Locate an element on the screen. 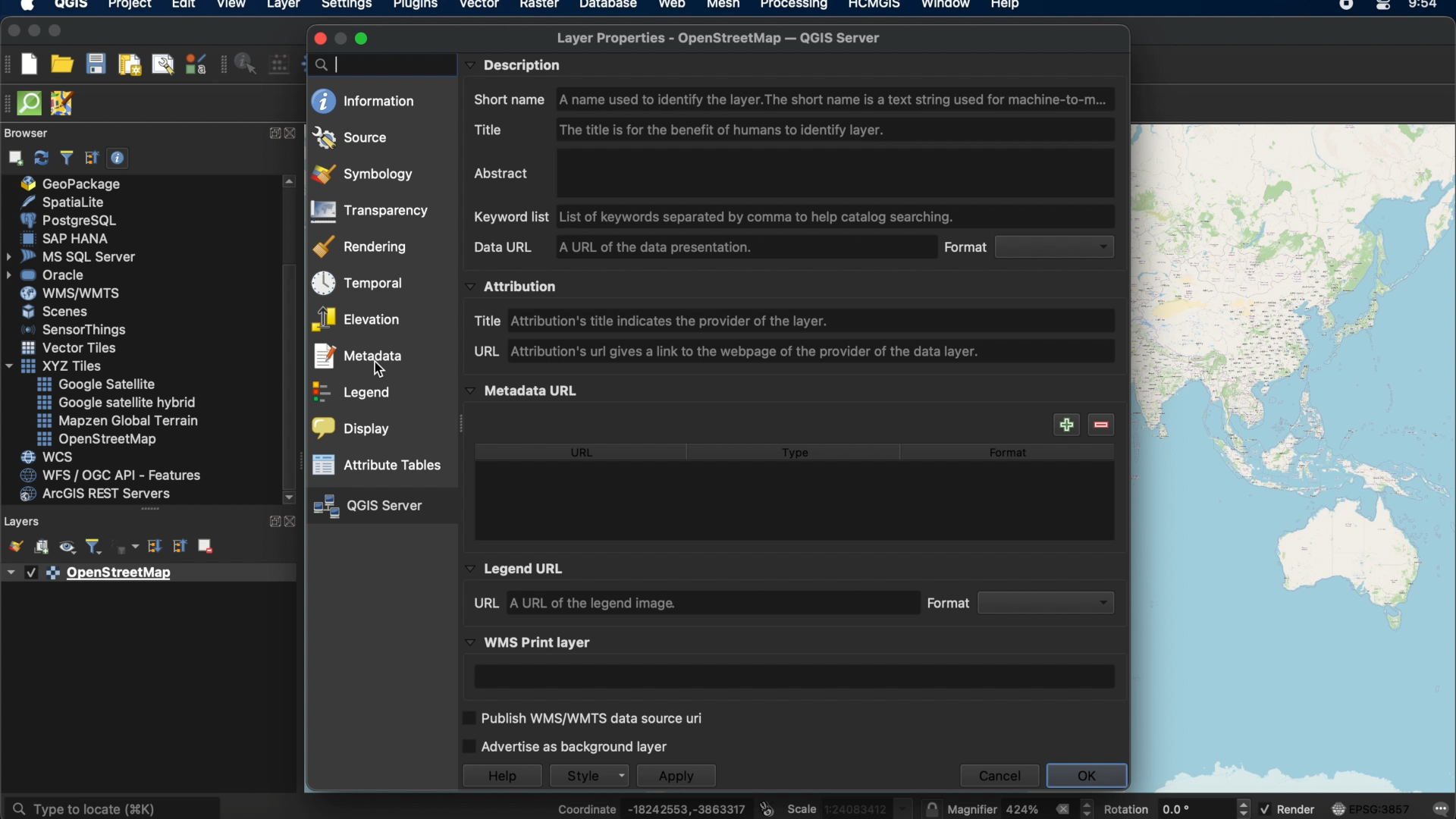 The height and width of the screenshot is (819, 1456). database is located at coordinates (606, 6).